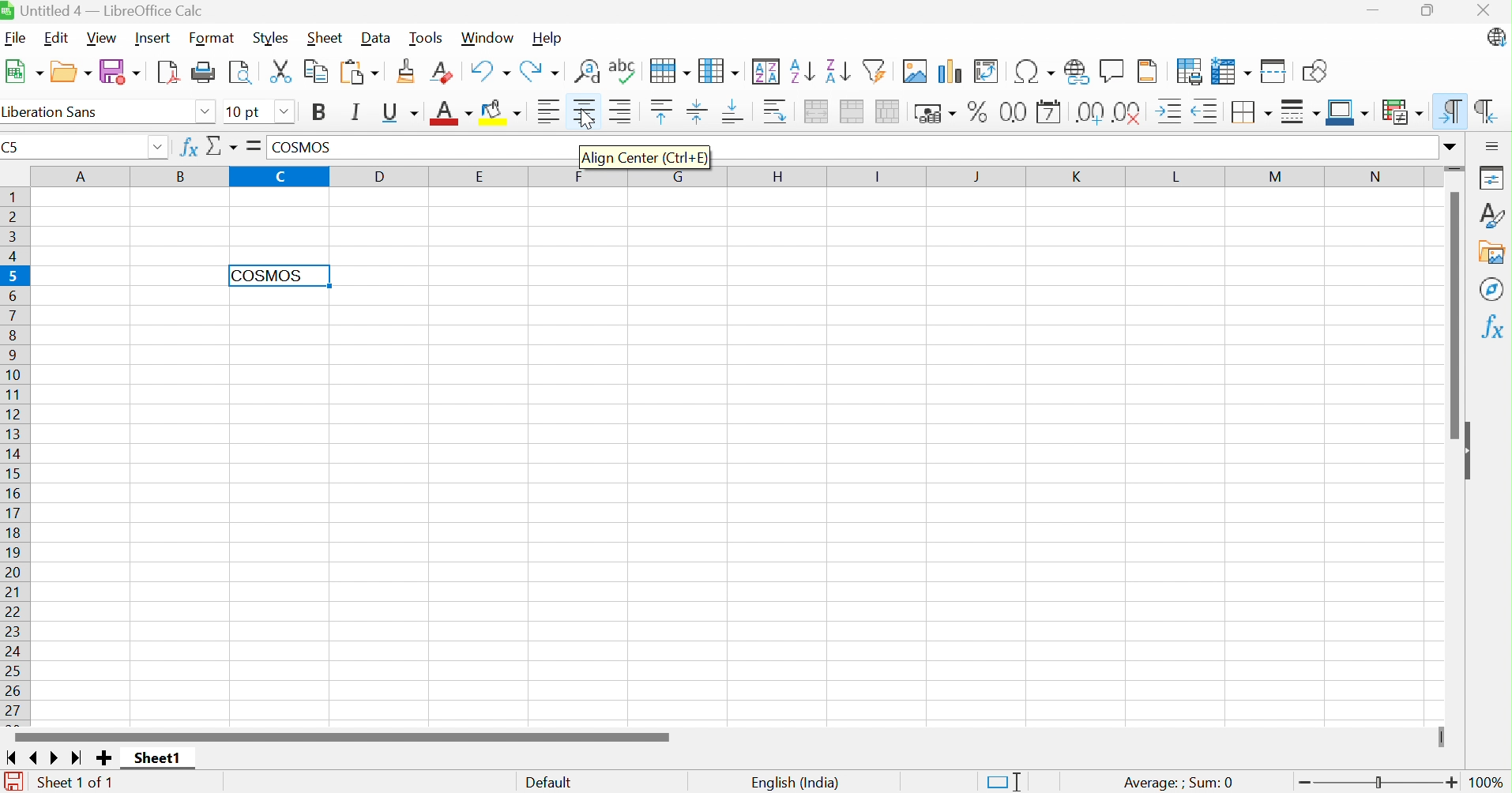 This screenshot has width=1512, height=793. I want to click on English (India), so click(798, 784).